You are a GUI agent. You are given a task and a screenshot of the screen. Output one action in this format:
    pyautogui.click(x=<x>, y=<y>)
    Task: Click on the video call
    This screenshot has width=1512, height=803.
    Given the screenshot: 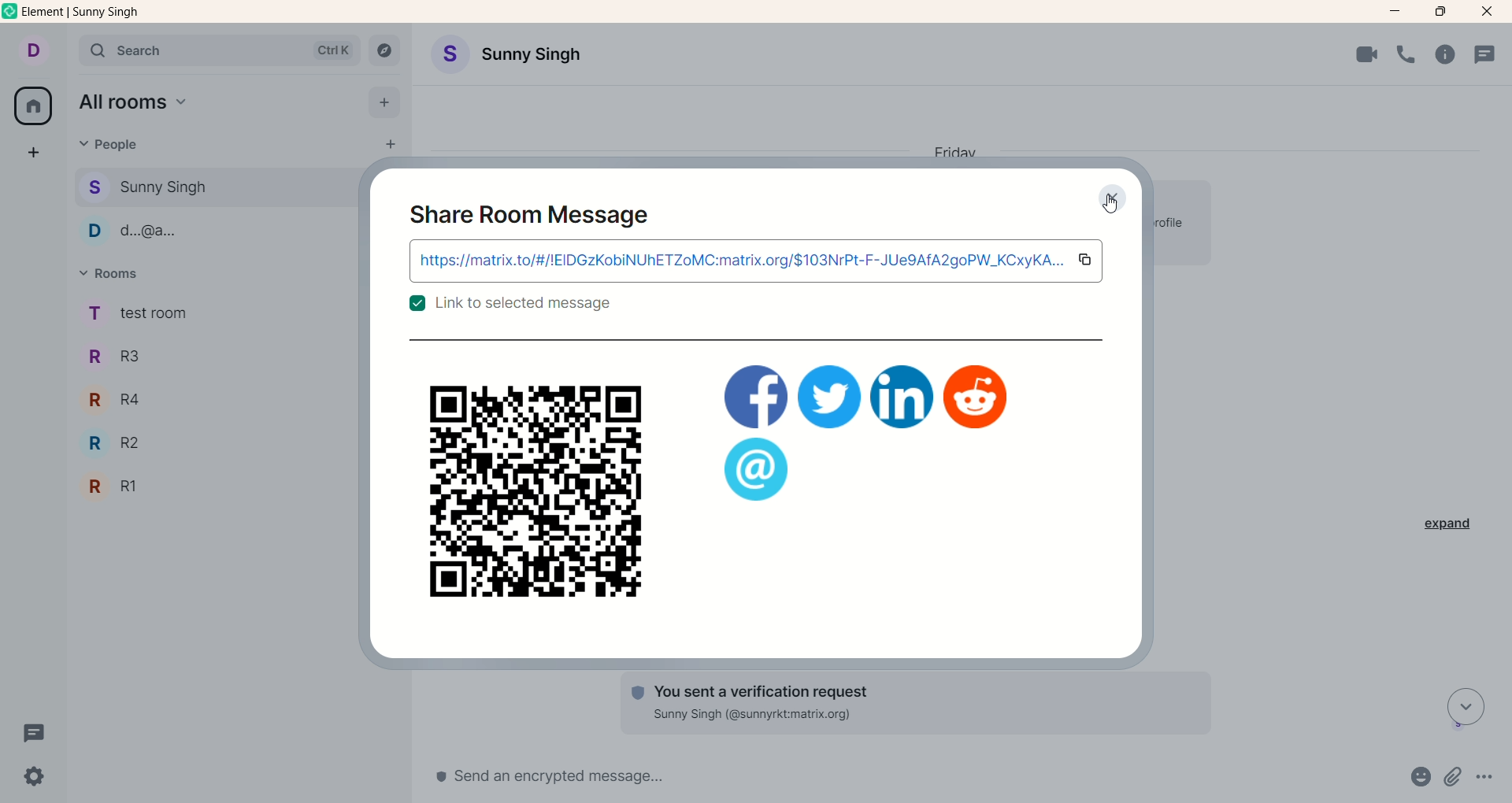 What is the action you would take?
    pyautogui.click(x=1365, y=55)
    